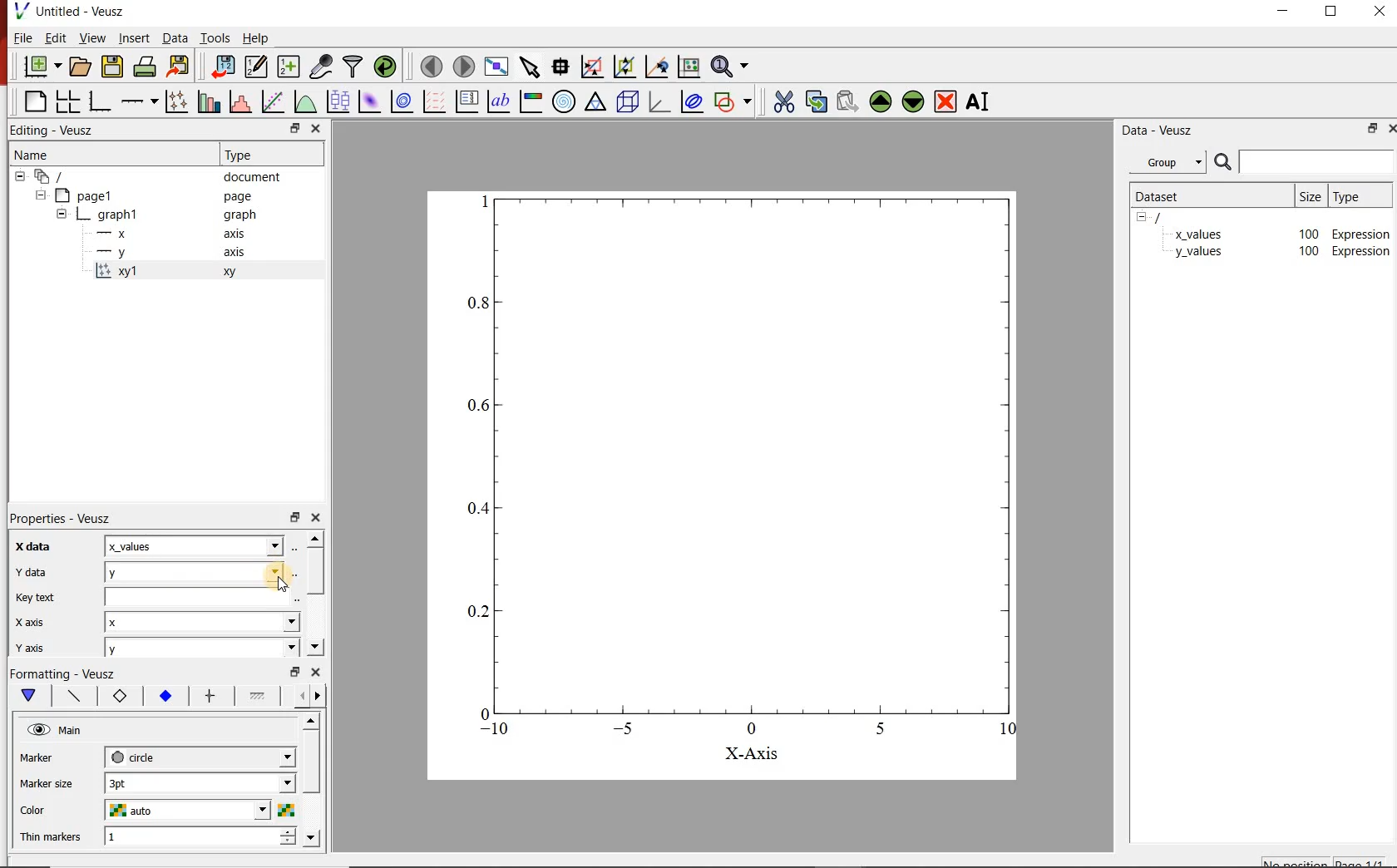 The height and width of the screenshot is (868, 1397). I want to click on select items from the graph, so click(531, 67).